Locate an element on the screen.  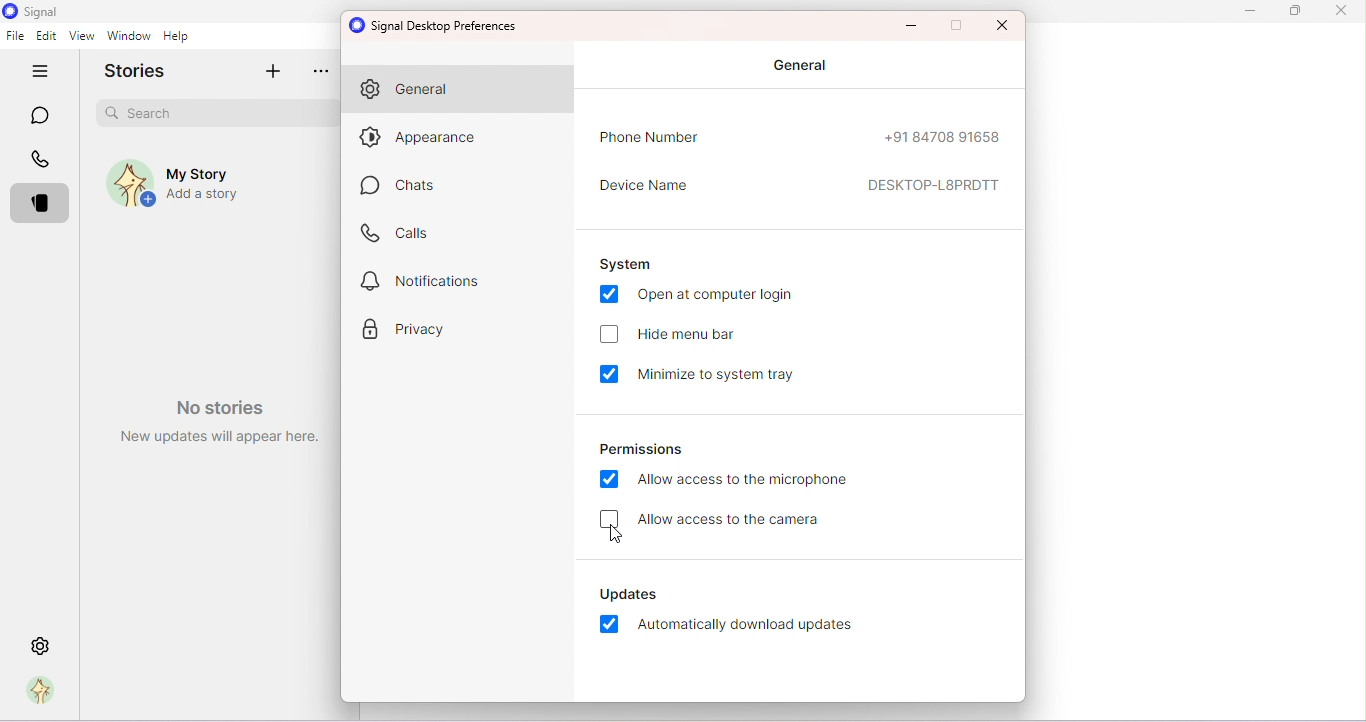
Signal is located at coordinates (38, 12).